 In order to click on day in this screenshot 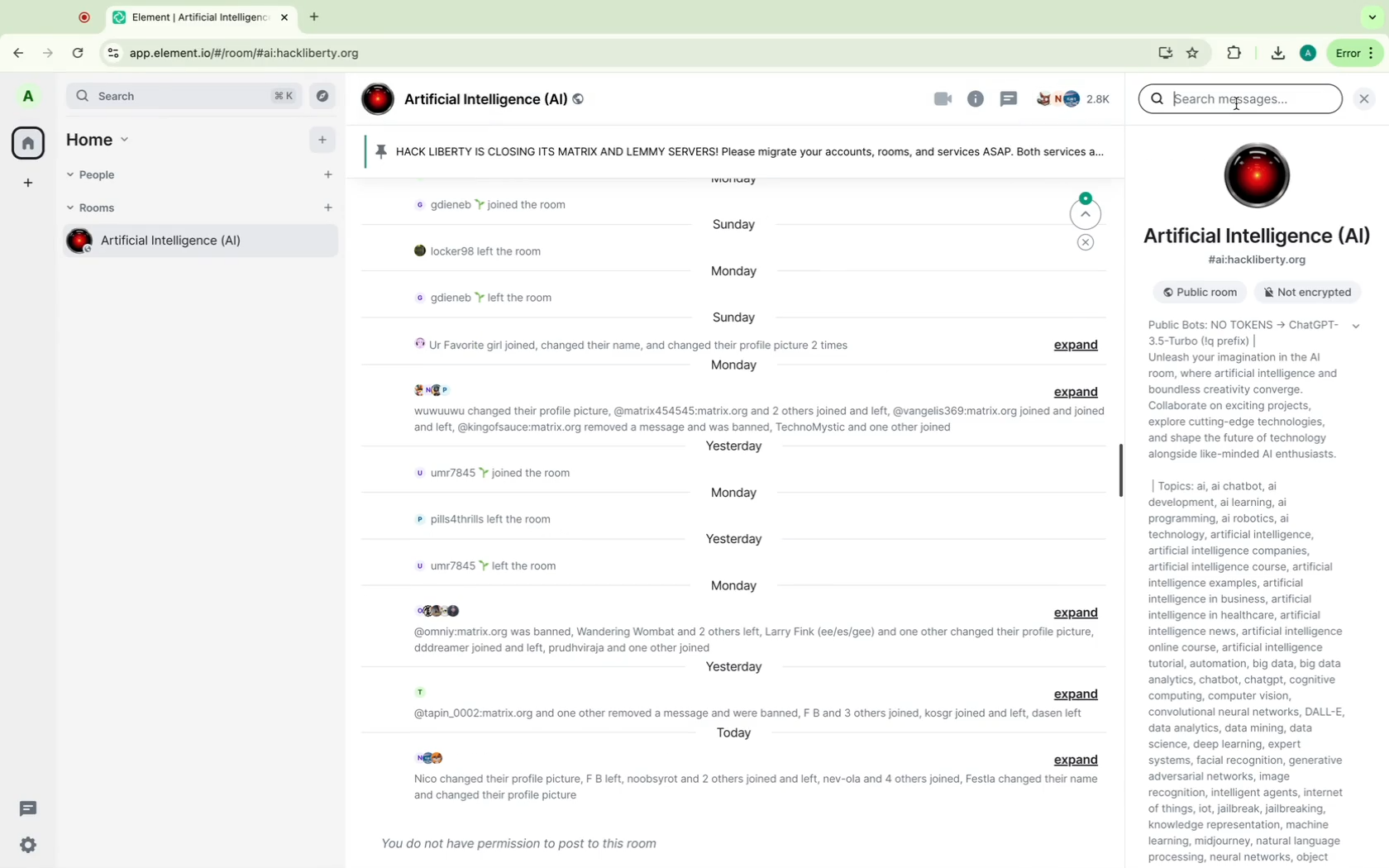, I will do `click(734, 317)`.